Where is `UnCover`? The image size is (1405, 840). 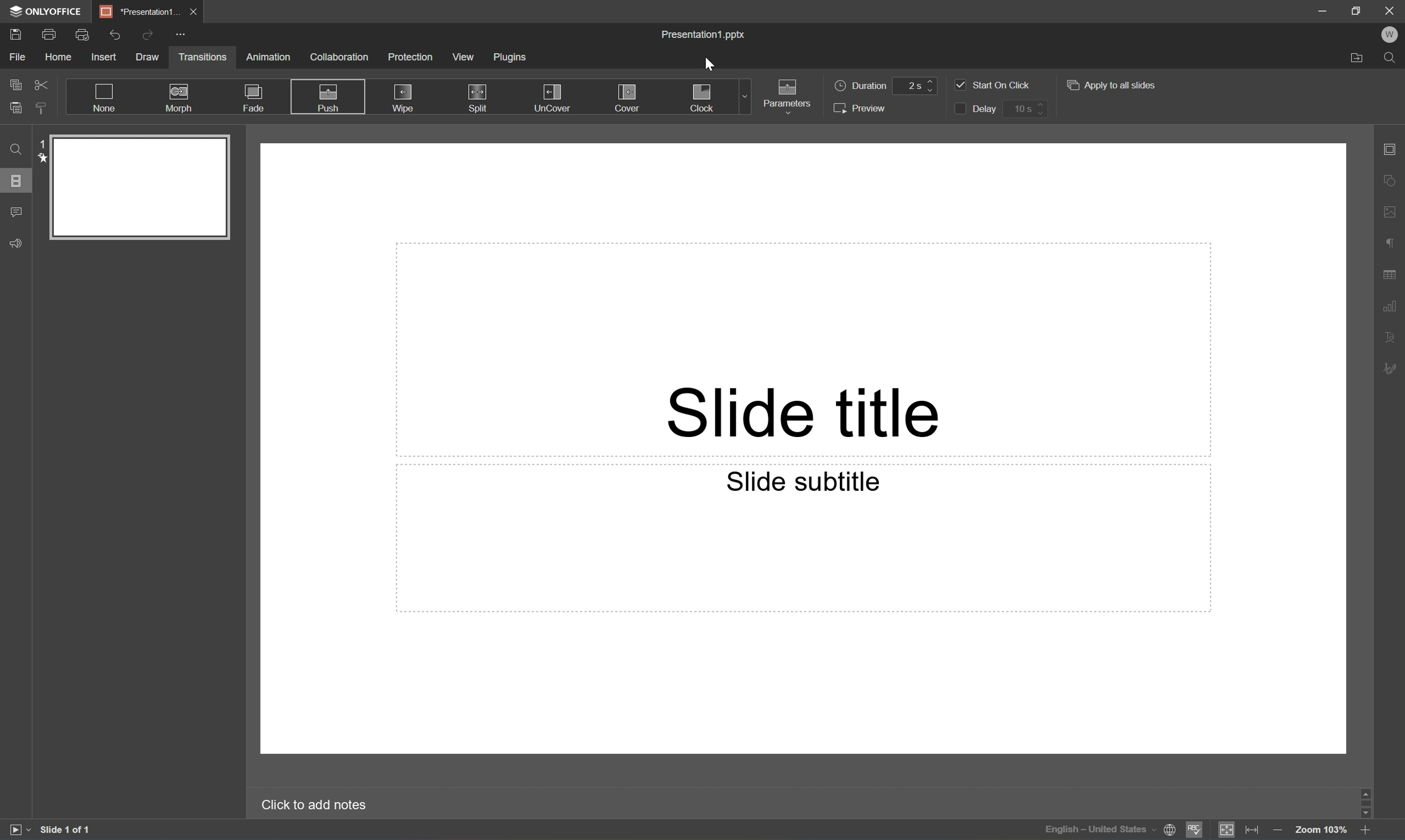
UnCover is located at coordinates (553, 97).